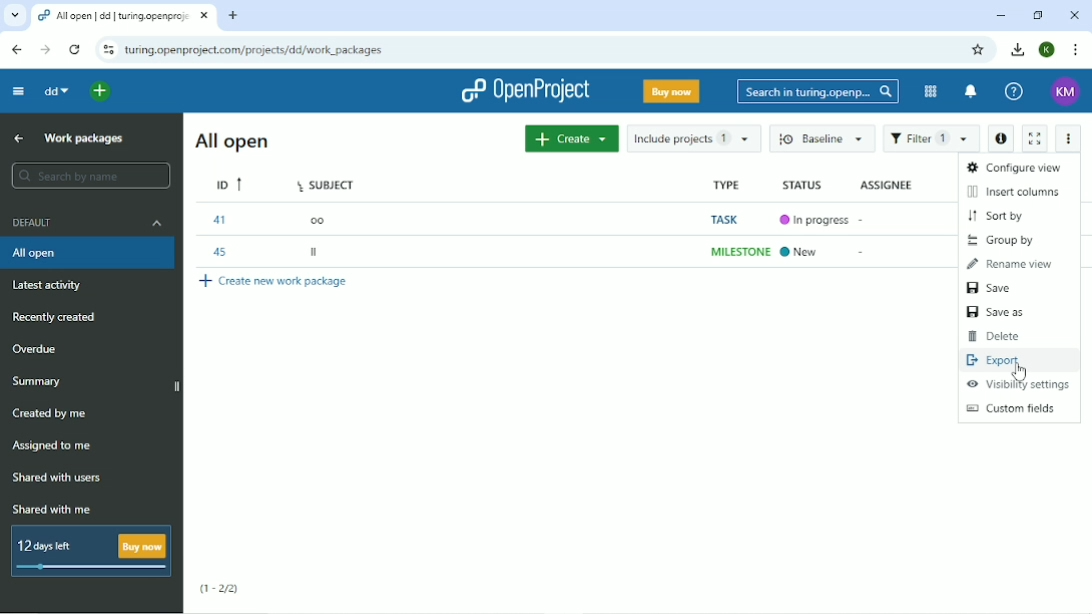 This screenshot has height=614, width=1092. I want to click on ID, so click(230, 185).